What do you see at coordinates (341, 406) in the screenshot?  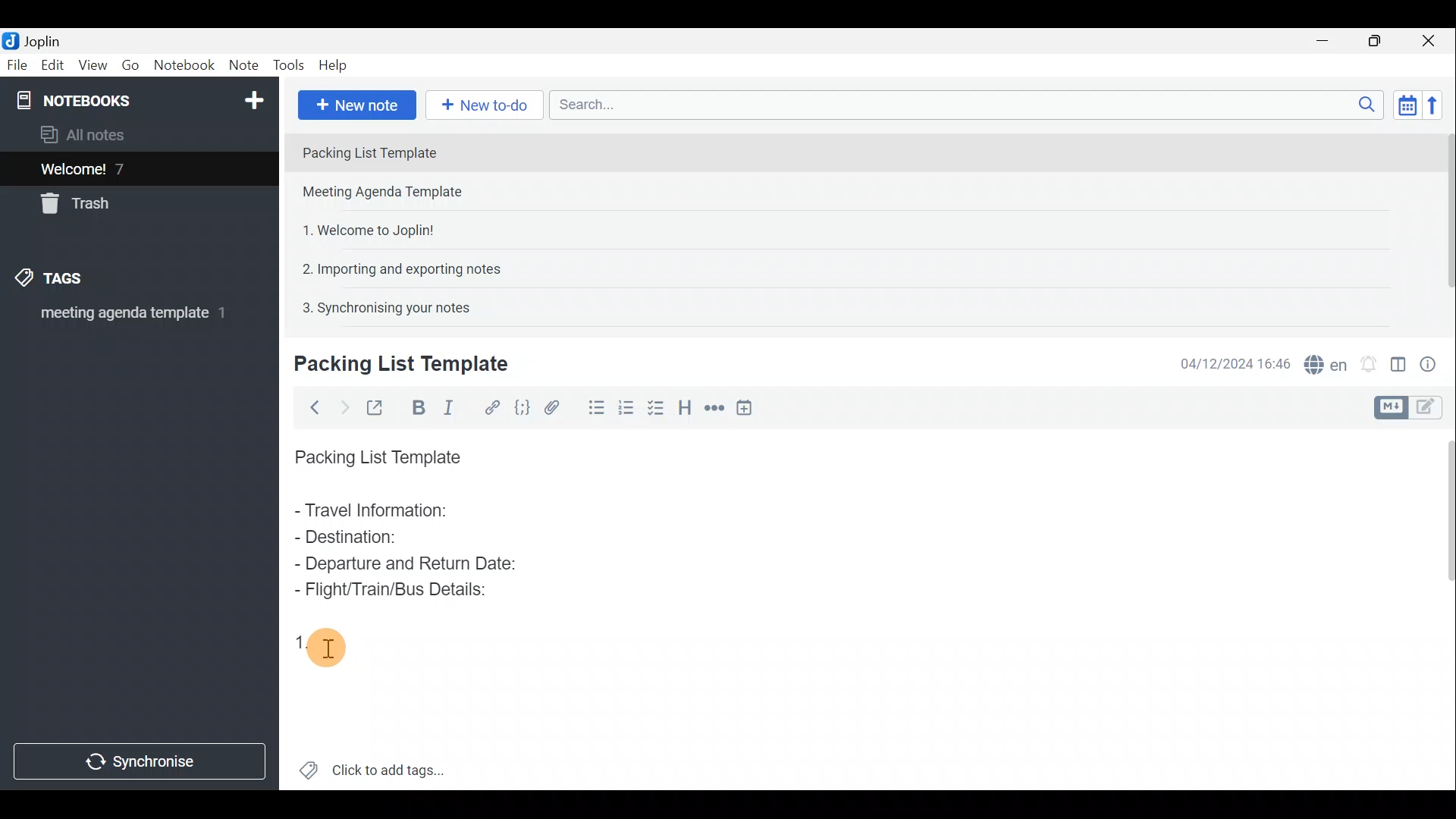 I see `Forward` at bounding box center [341, 406].